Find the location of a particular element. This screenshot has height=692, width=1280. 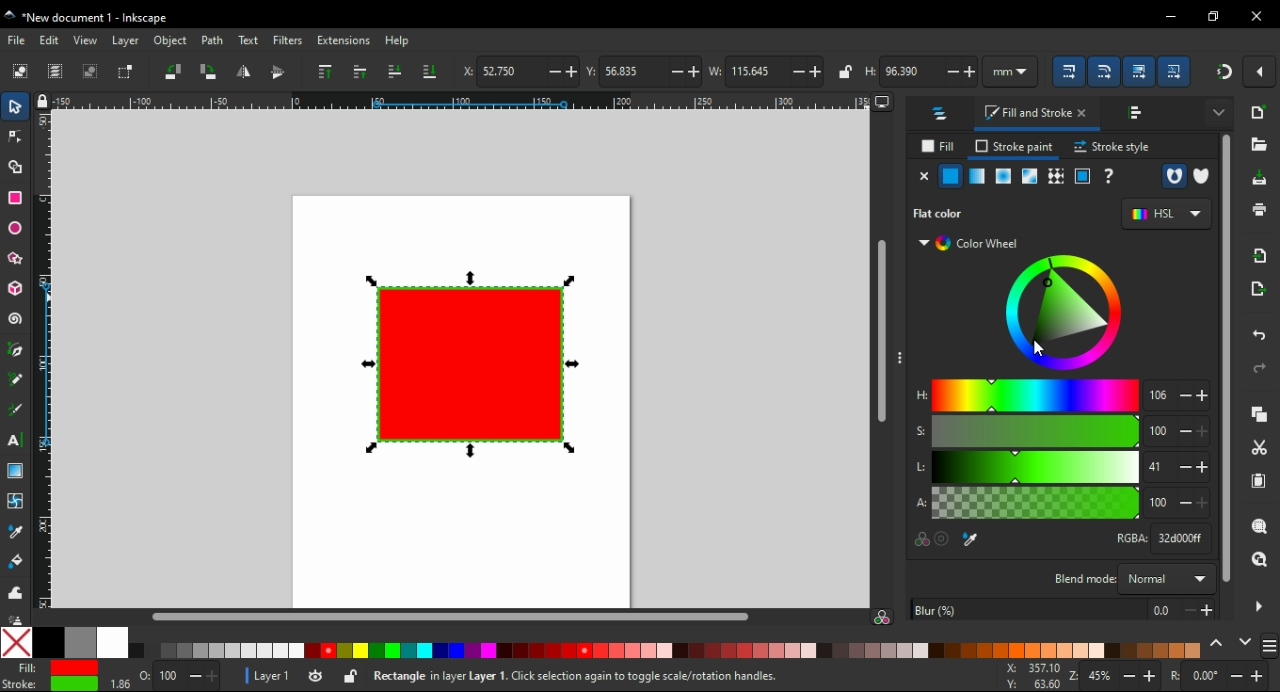

restore is located at coordinates (1215, 16).